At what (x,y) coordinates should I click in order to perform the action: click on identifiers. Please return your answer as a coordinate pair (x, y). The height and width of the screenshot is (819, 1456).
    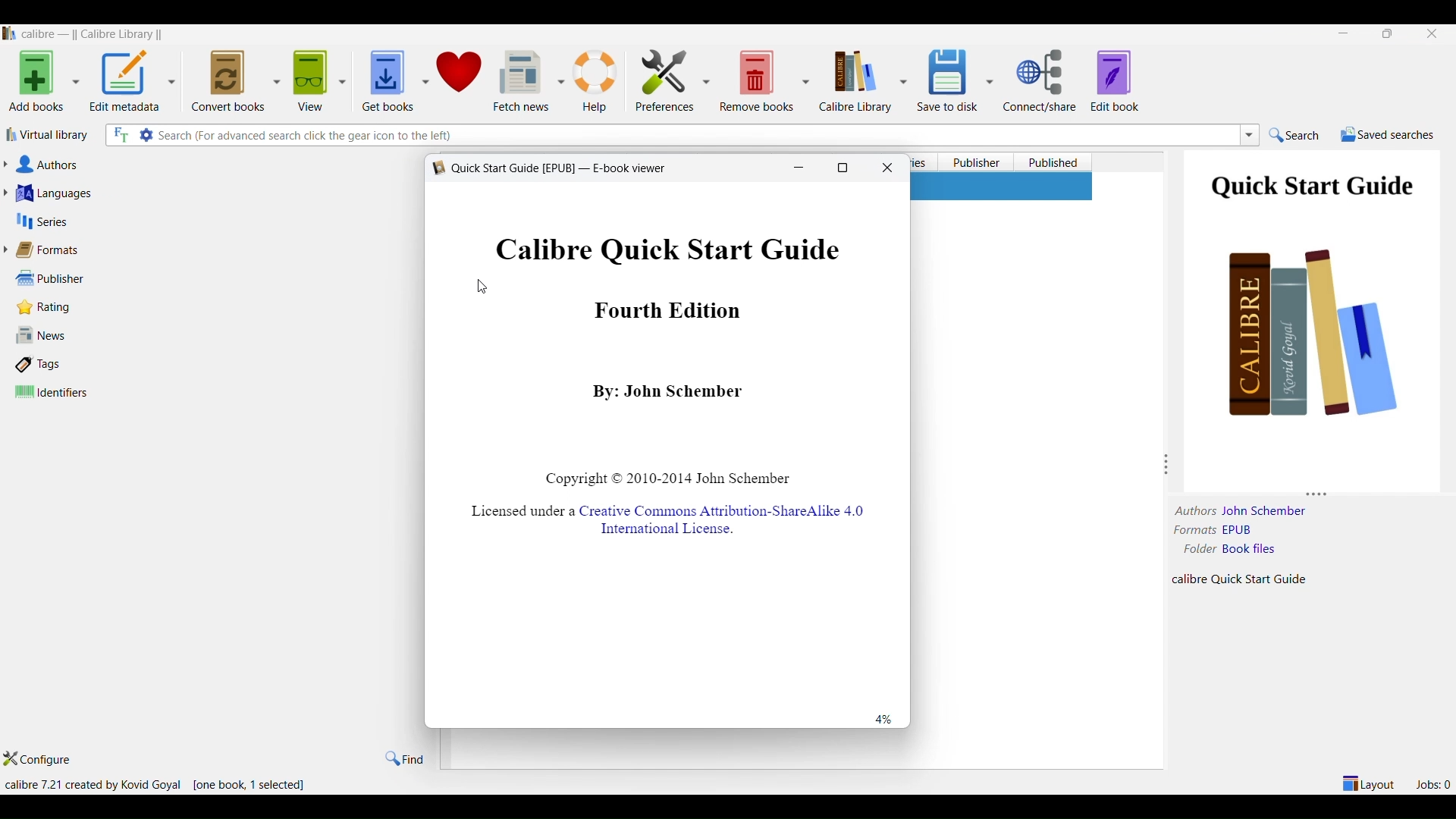
    Looking at the image, I should click on (212, 393).